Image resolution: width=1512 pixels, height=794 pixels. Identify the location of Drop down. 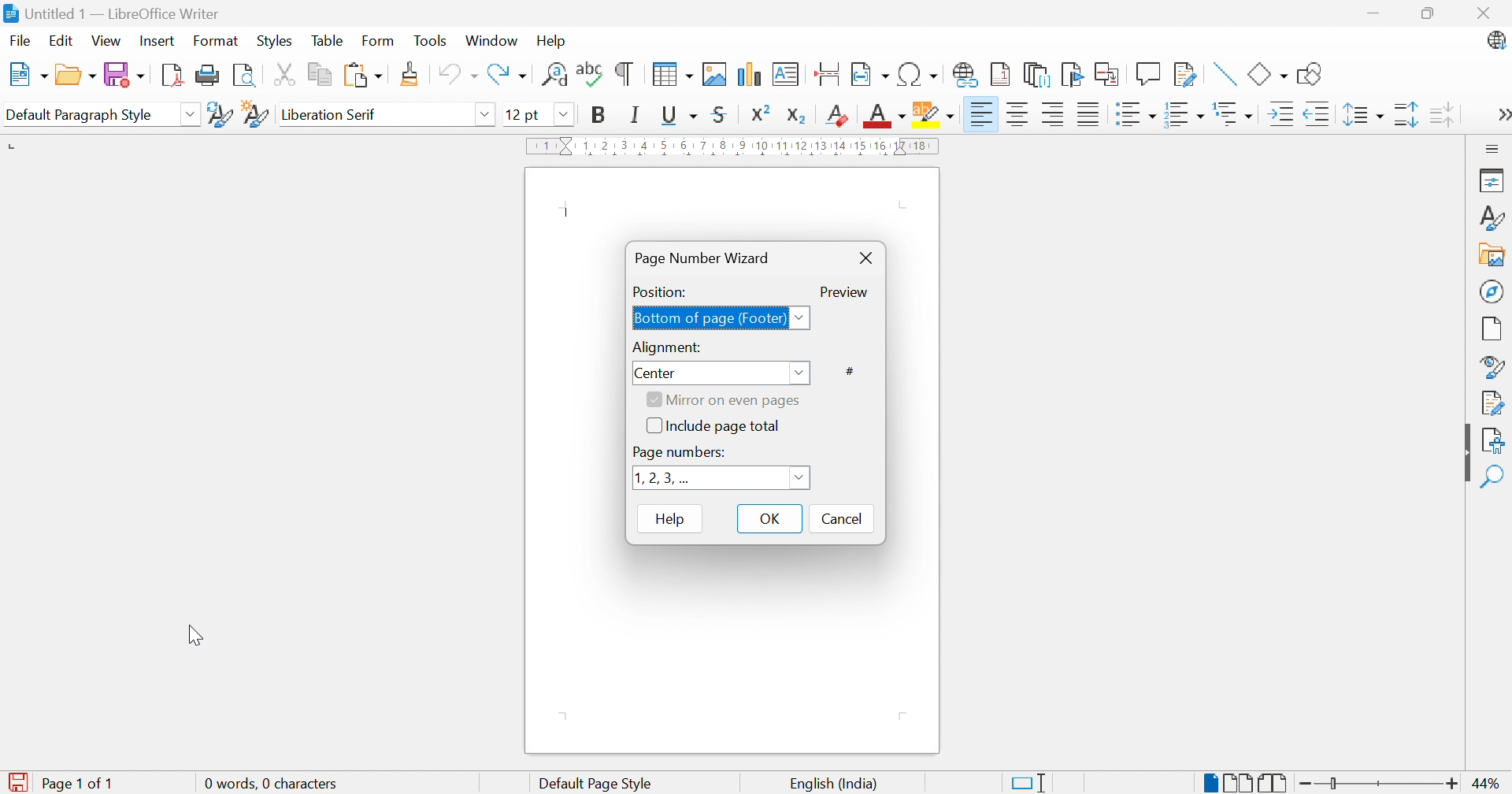
(797, 477).